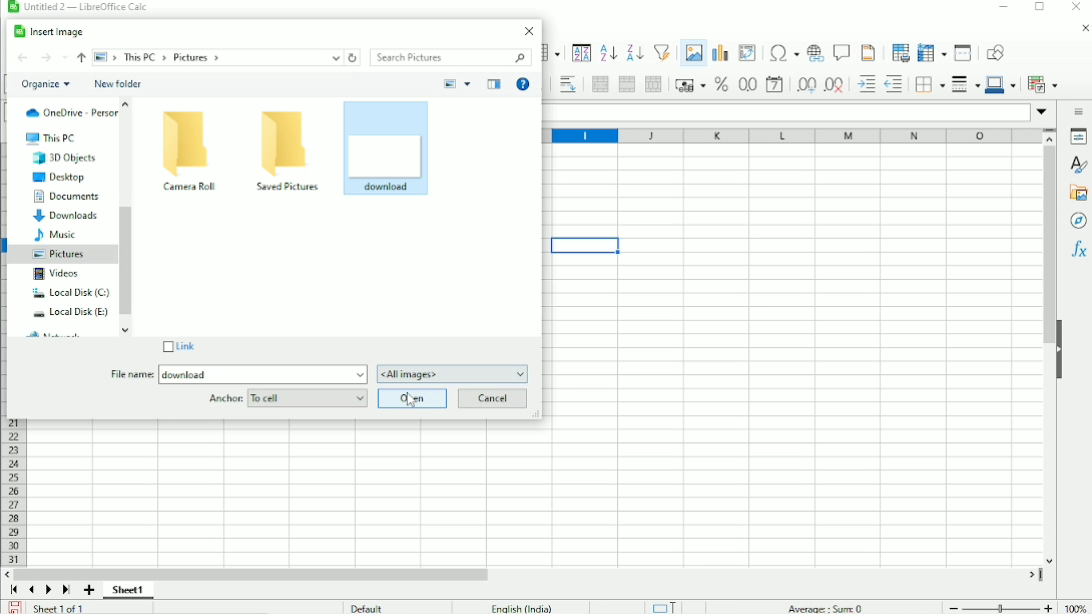  Describe the element at coordinates (1042, 111) in the screenshot. I see `Expand formula bar` at that location.